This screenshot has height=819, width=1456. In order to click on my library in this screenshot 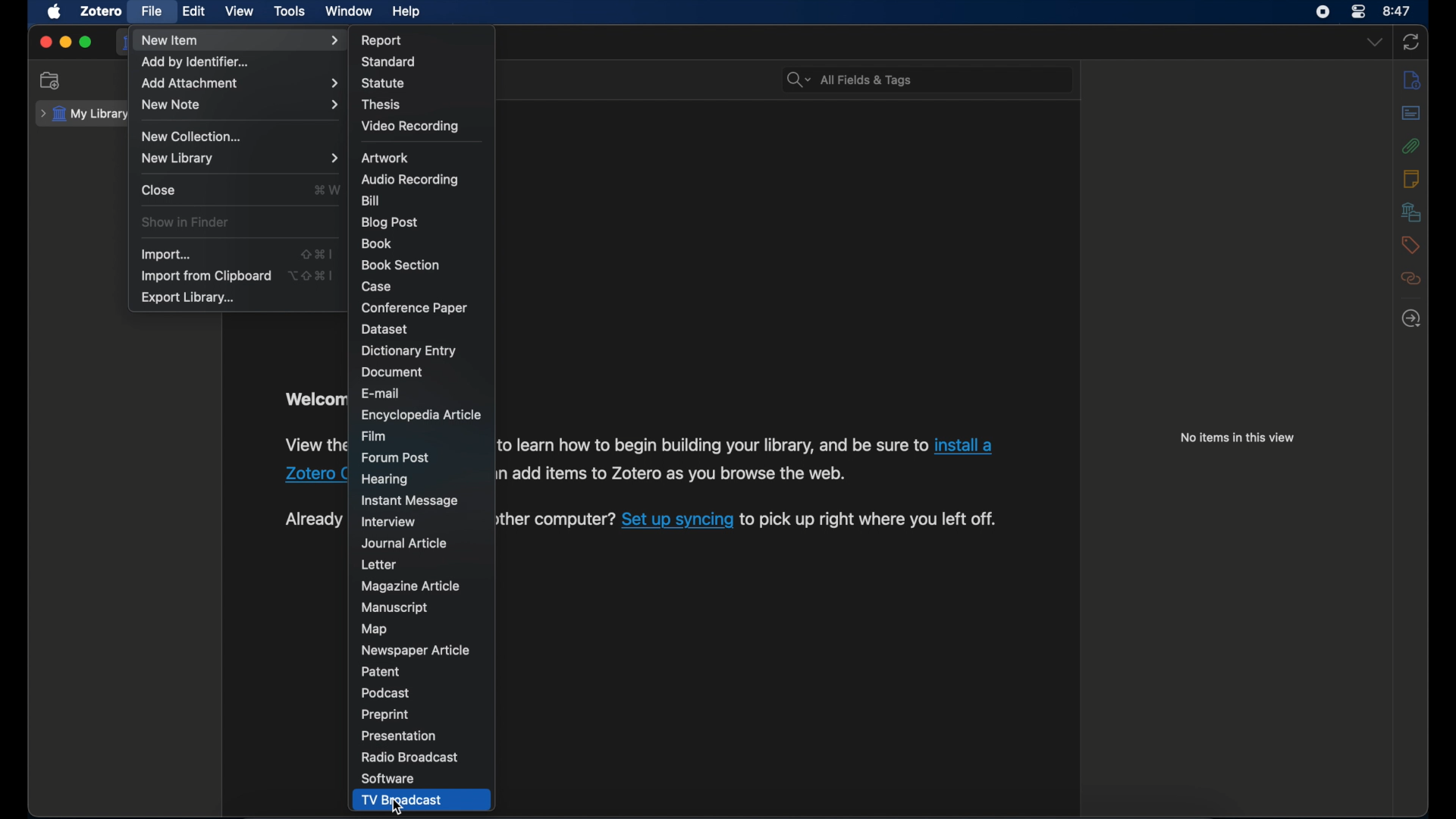, I will do `click(81, 114)`.